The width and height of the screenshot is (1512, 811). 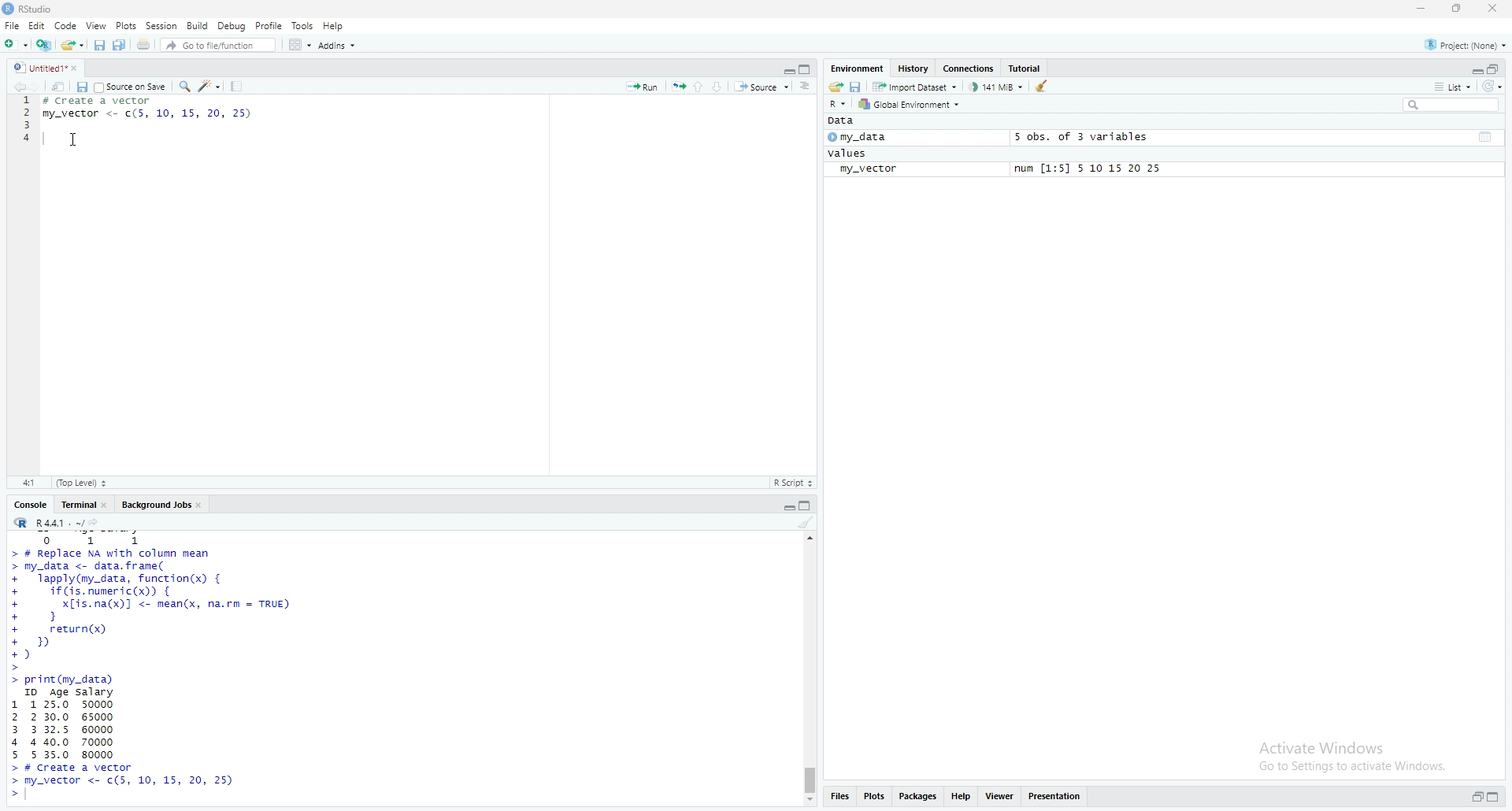 I want to click on expand, so click(x=1475, y=797).